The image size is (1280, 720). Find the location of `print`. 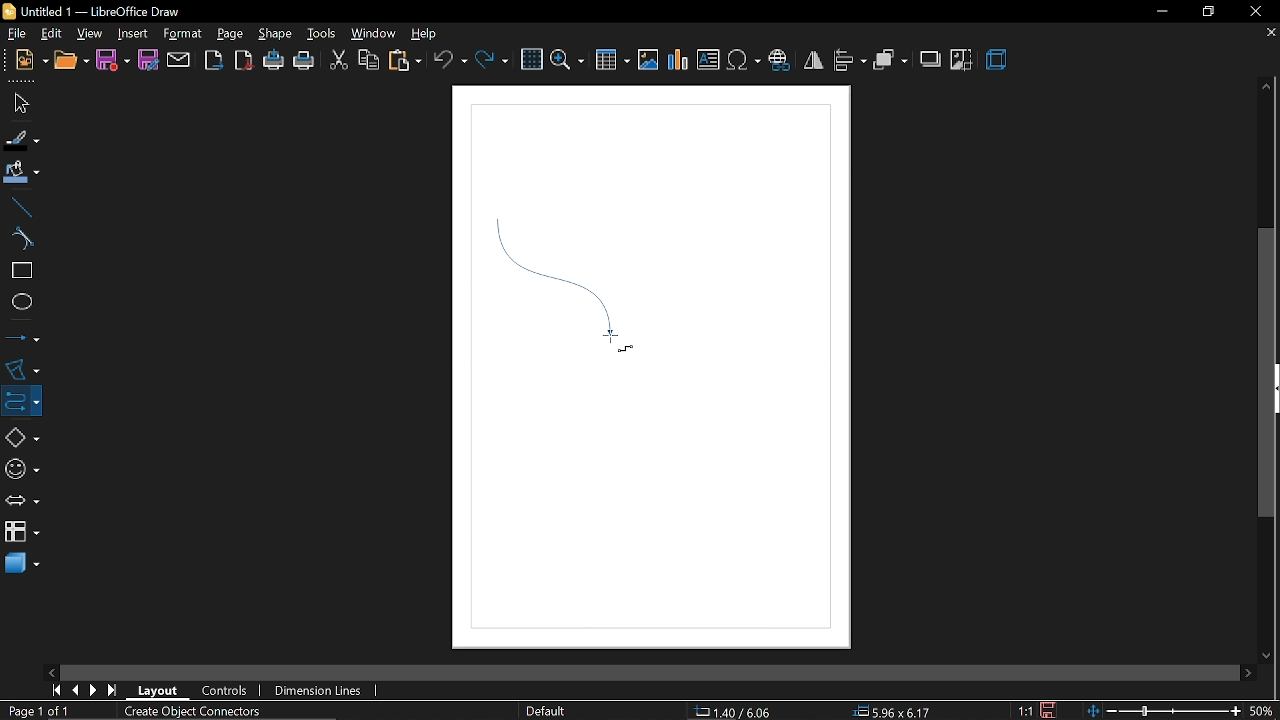

print is located at coordinates (304, 62).